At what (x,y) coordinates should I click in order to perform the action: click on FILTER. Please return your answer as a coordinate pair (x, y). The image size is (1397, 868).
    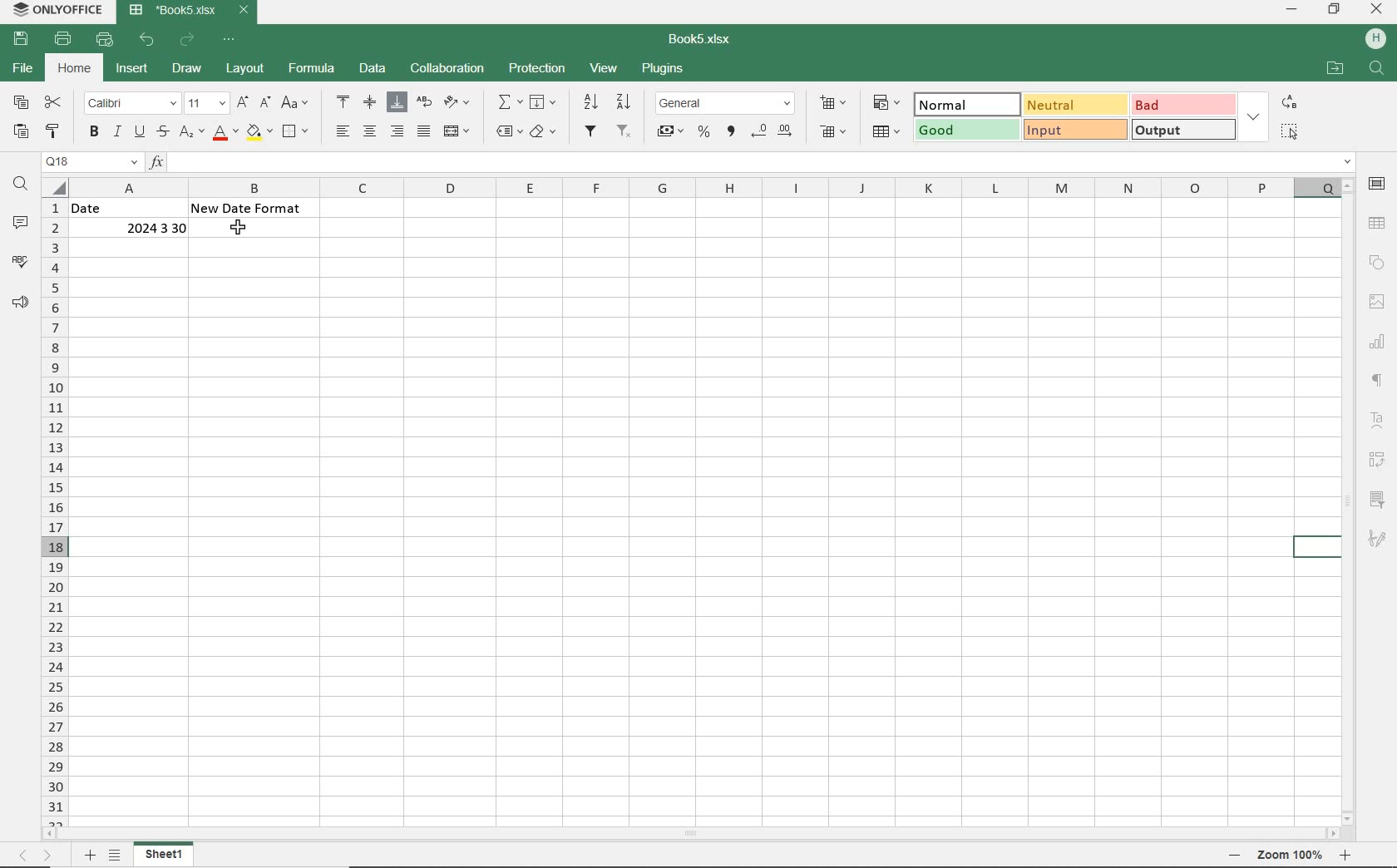
    Looking at the image, I should click on (590, 132).